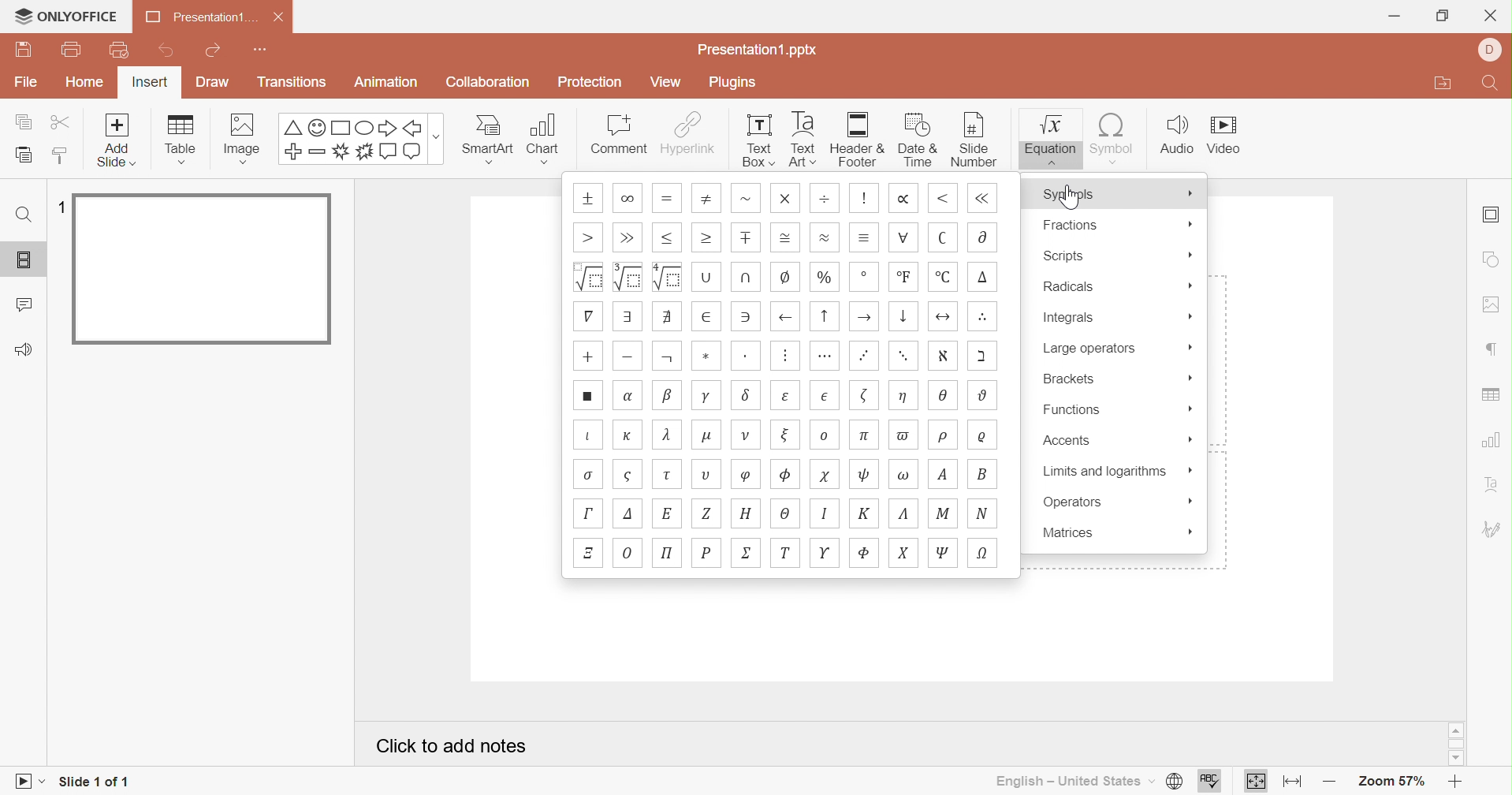 The width and height of the screenshot is (1512, 795). Describe the element at coordinates (1118, 222) in the screenshot. I see `Fractions` at that location.